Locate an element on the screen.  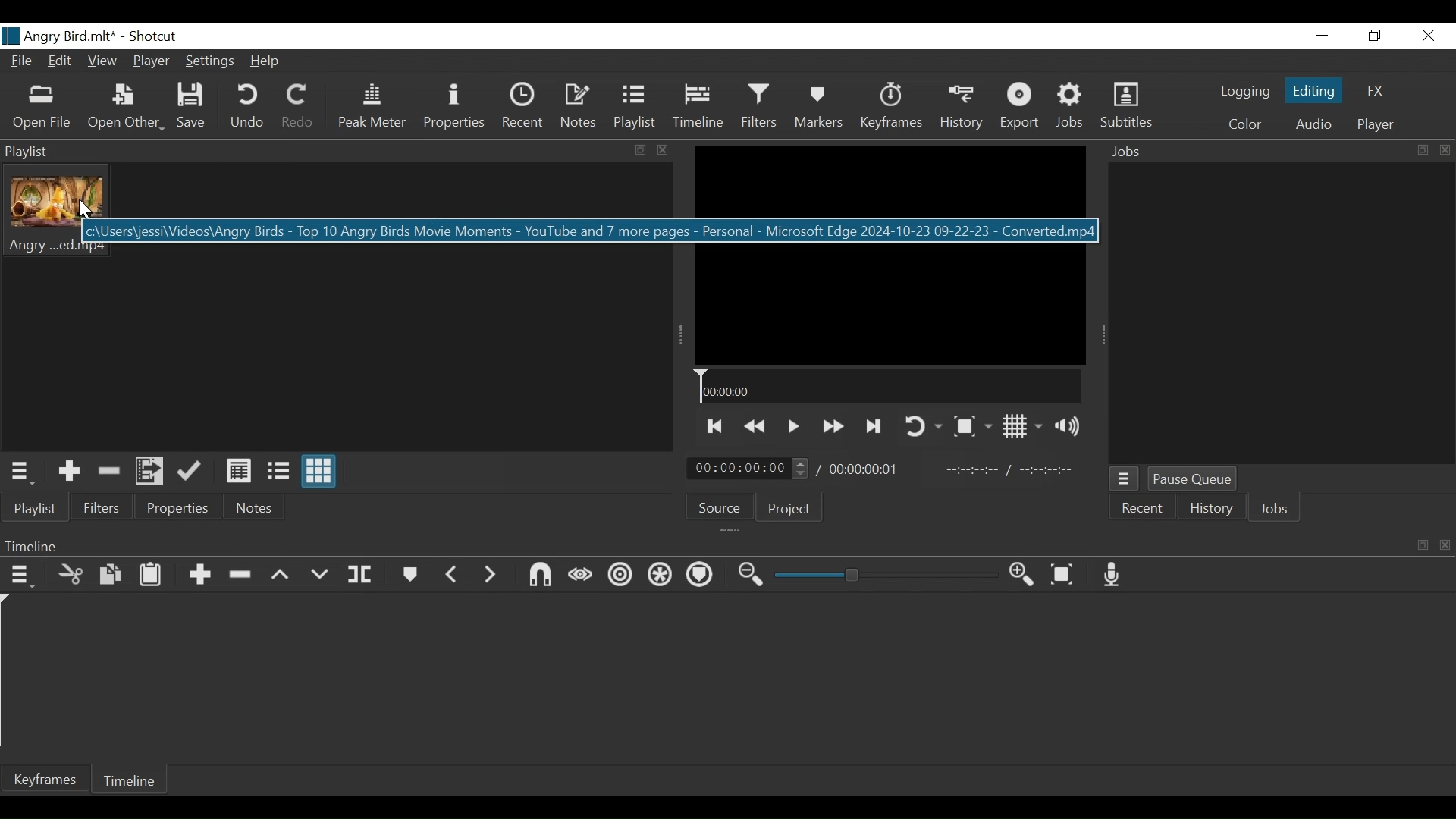
Copy is located at coordinates (110, 575).